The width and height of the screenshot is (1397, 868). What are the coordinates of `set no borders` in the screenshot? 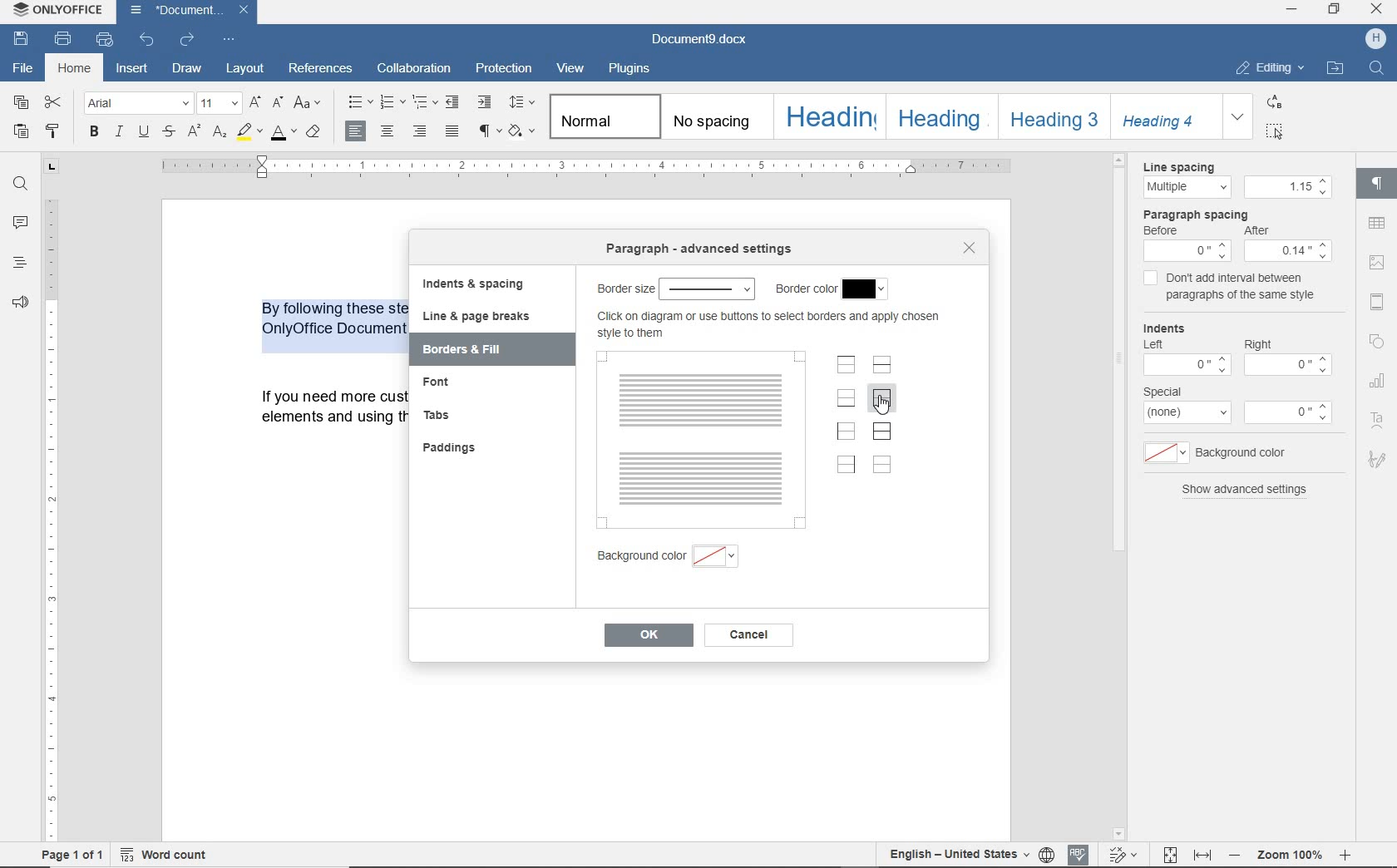 It's located at (883, 466).